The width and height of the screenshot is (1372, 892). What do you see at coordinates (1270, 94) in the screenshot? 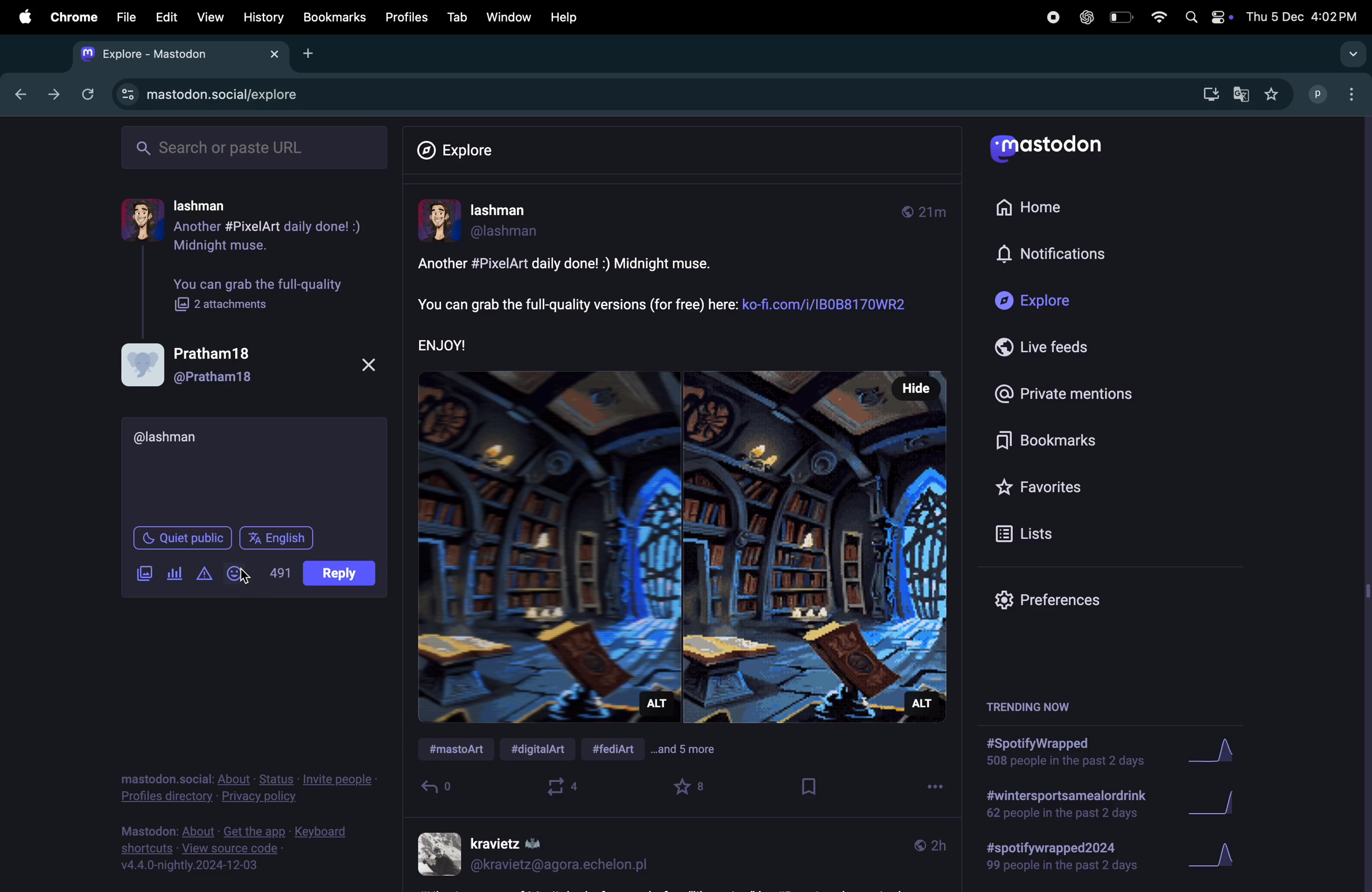
I see `favourites` at bounding box center [1270, 94].